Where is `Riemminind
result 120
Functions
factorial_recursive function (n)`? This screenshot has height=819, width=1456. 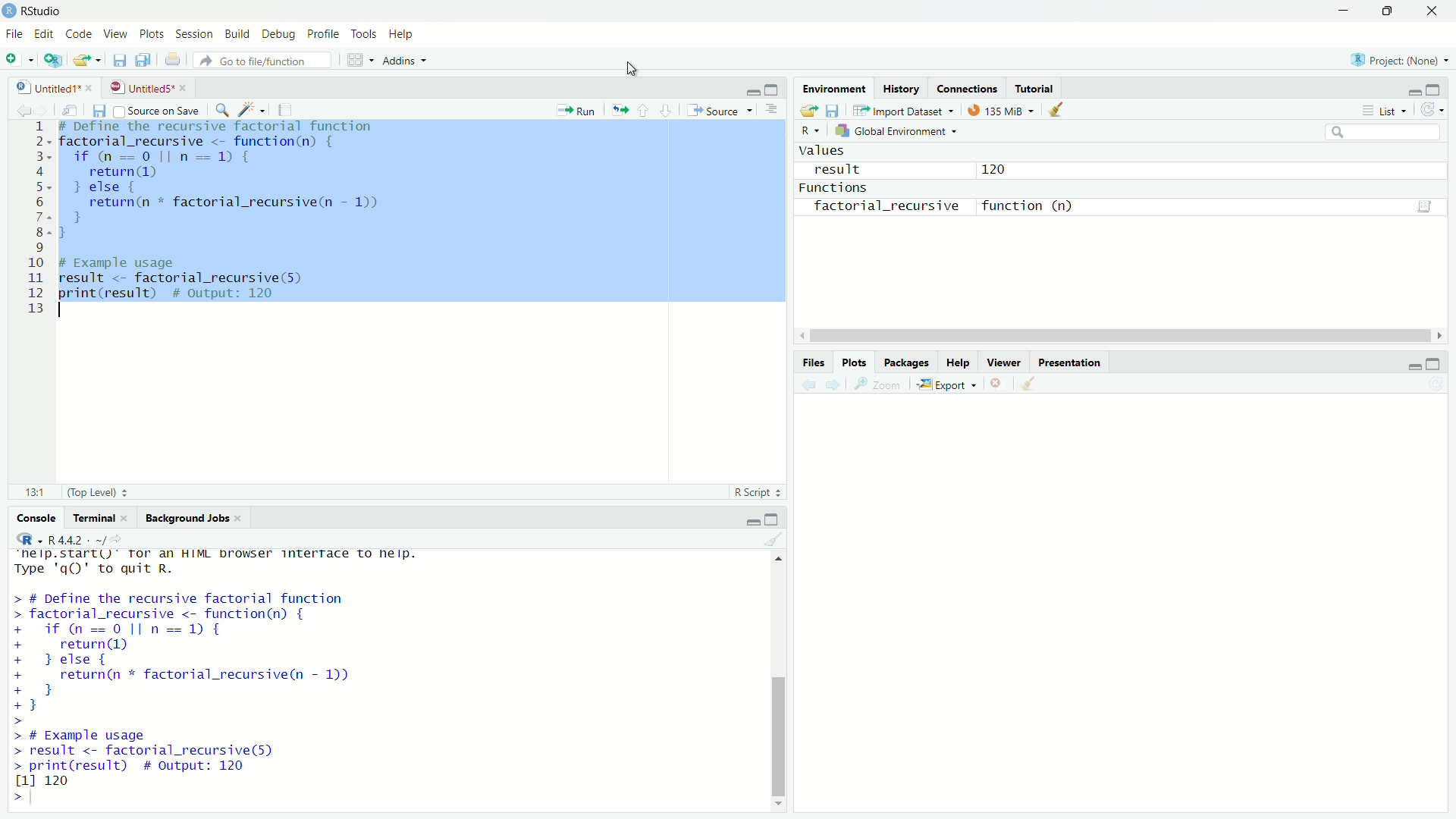 Riemminind
result 120
Functions
factorial_recursive function (n) is located at coordinates (962, 186).